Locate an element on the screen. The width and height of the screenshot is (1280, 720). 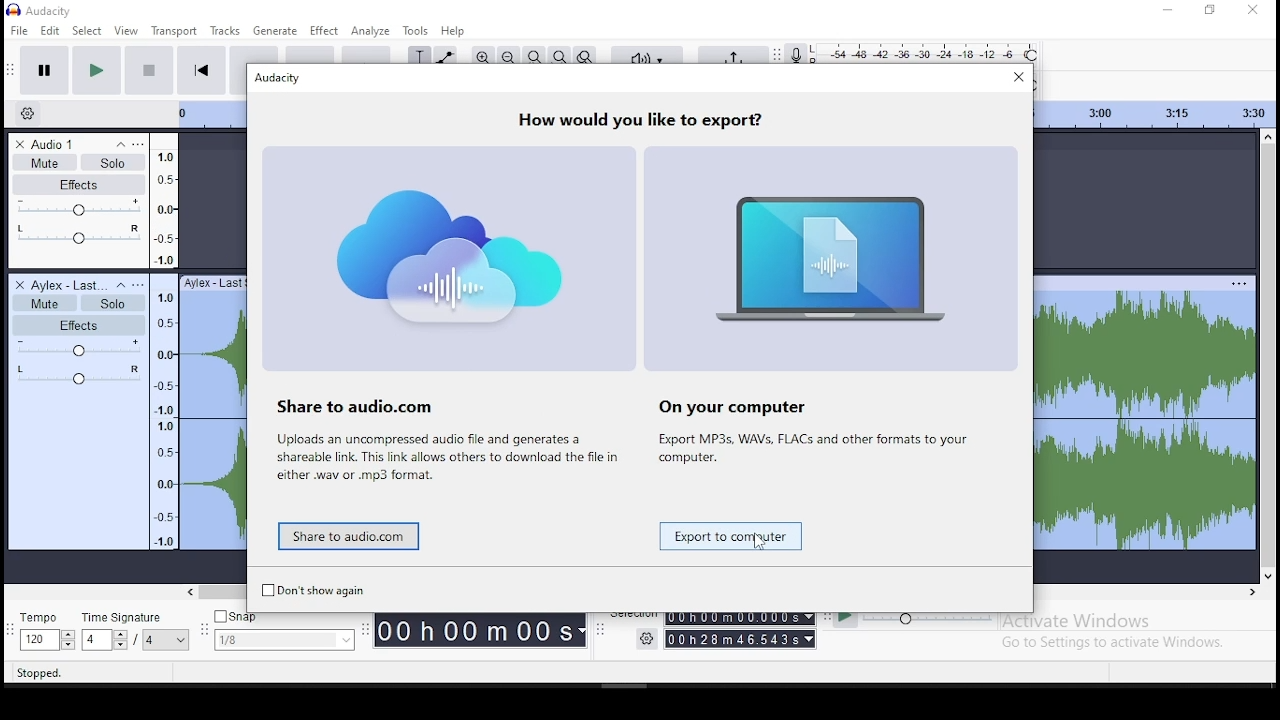
On your computer is located at coordinates (731, 408).